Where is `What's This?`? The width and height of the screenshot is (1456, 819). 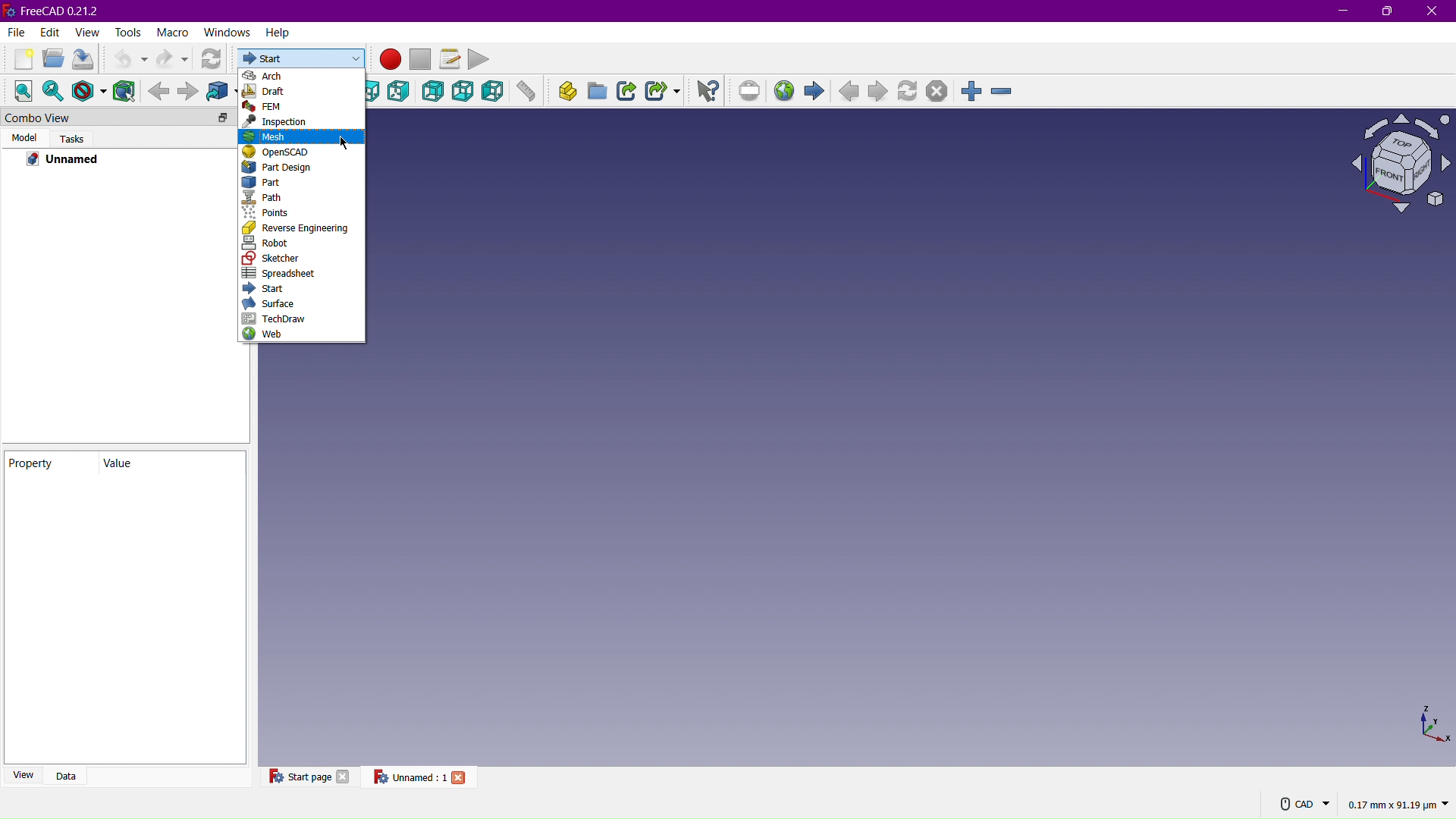 What's This? is located at coordinates (708, 90).